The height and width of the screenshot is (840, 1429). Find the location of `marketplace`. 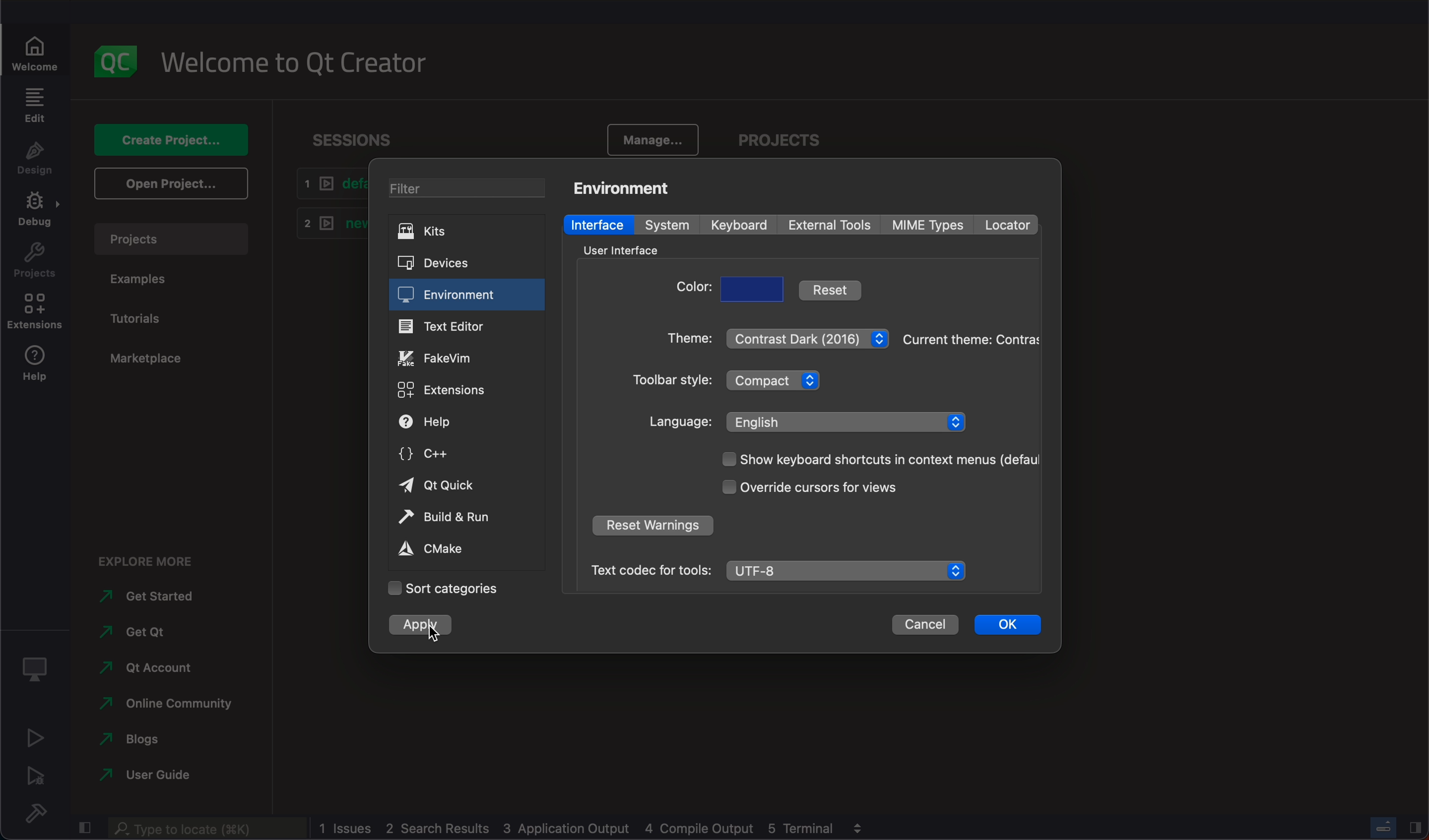

marketplace is located at coordinates (148, 364).